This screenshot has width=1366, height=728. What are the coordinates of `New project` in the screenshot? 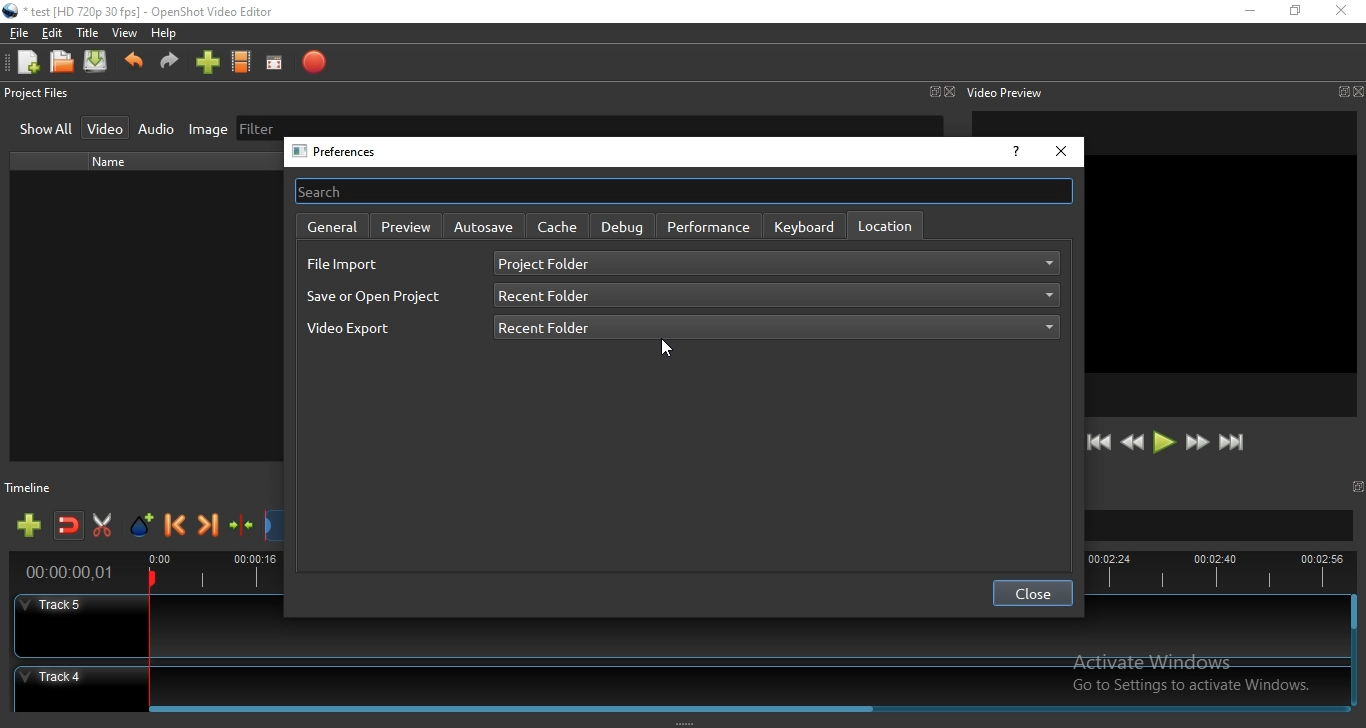 It's located at (25, 62).